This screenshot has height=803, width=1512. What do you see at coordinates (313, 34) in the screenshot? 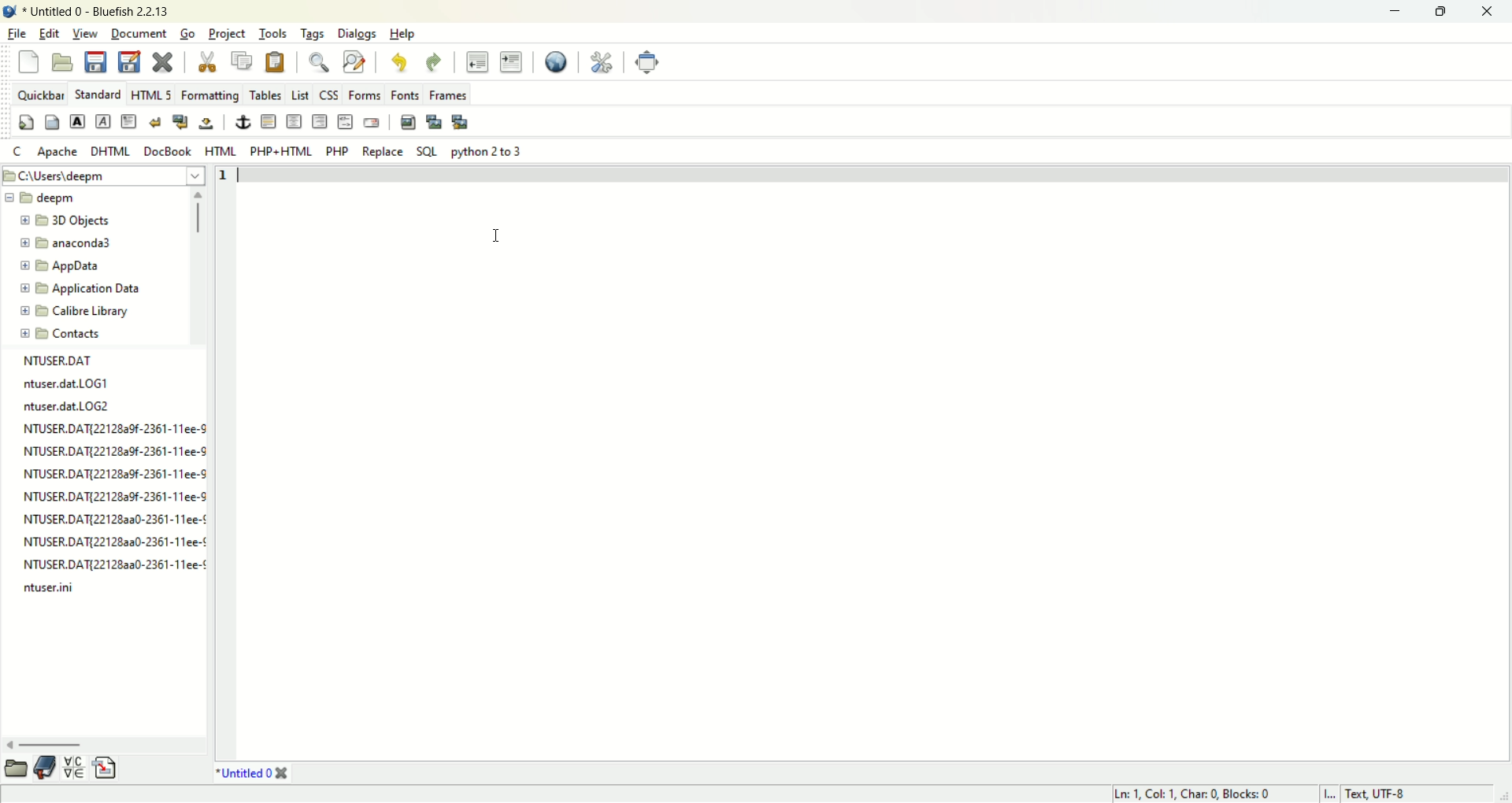
I see `tags` at bounding box center [313, 34].